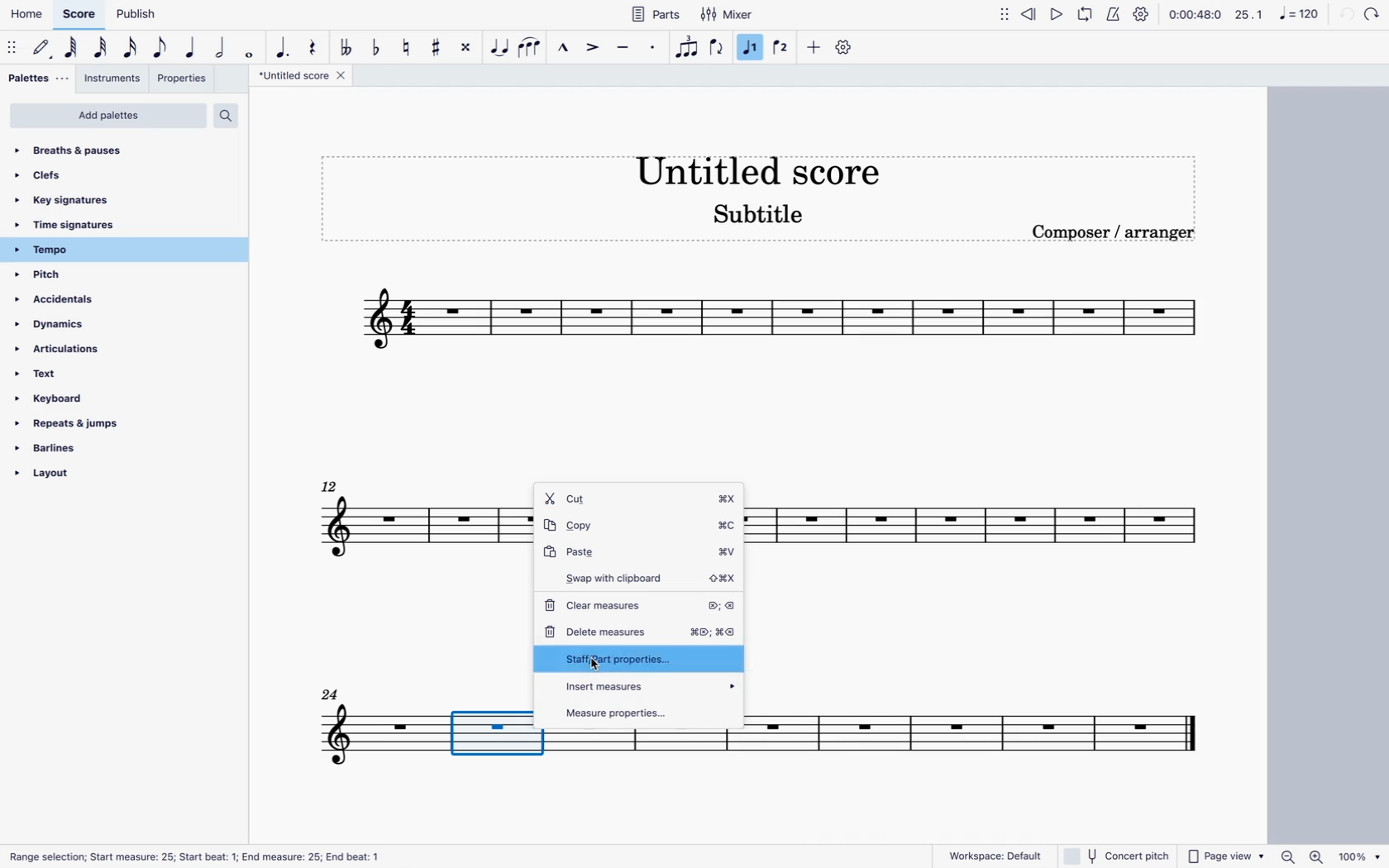 Image resolution: width=1389 pixels, height=868 pixels. I want to click on move, so click(12, 47).